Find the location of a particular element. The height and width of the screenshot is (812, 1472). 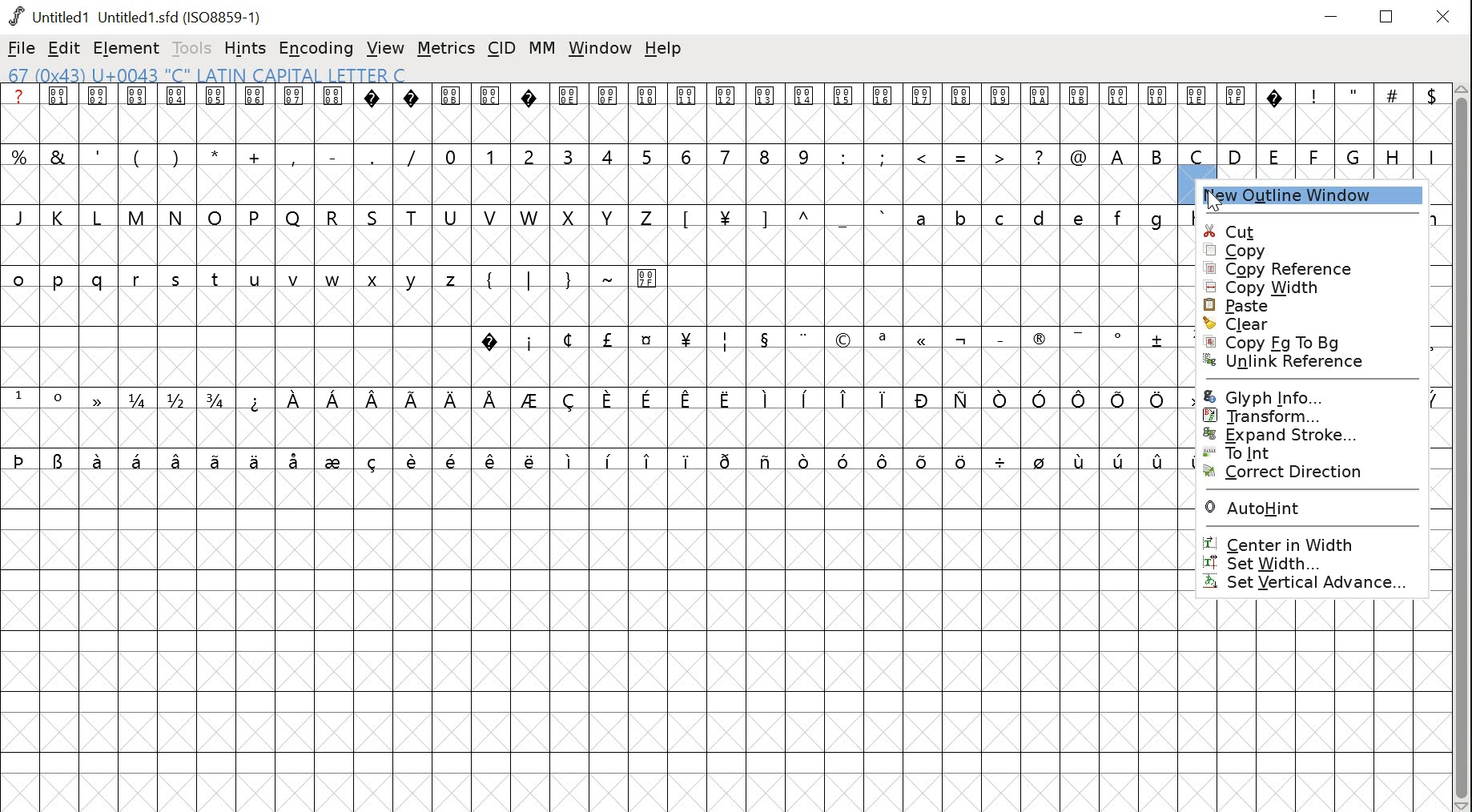

hints is located at coordinates (245, 48).